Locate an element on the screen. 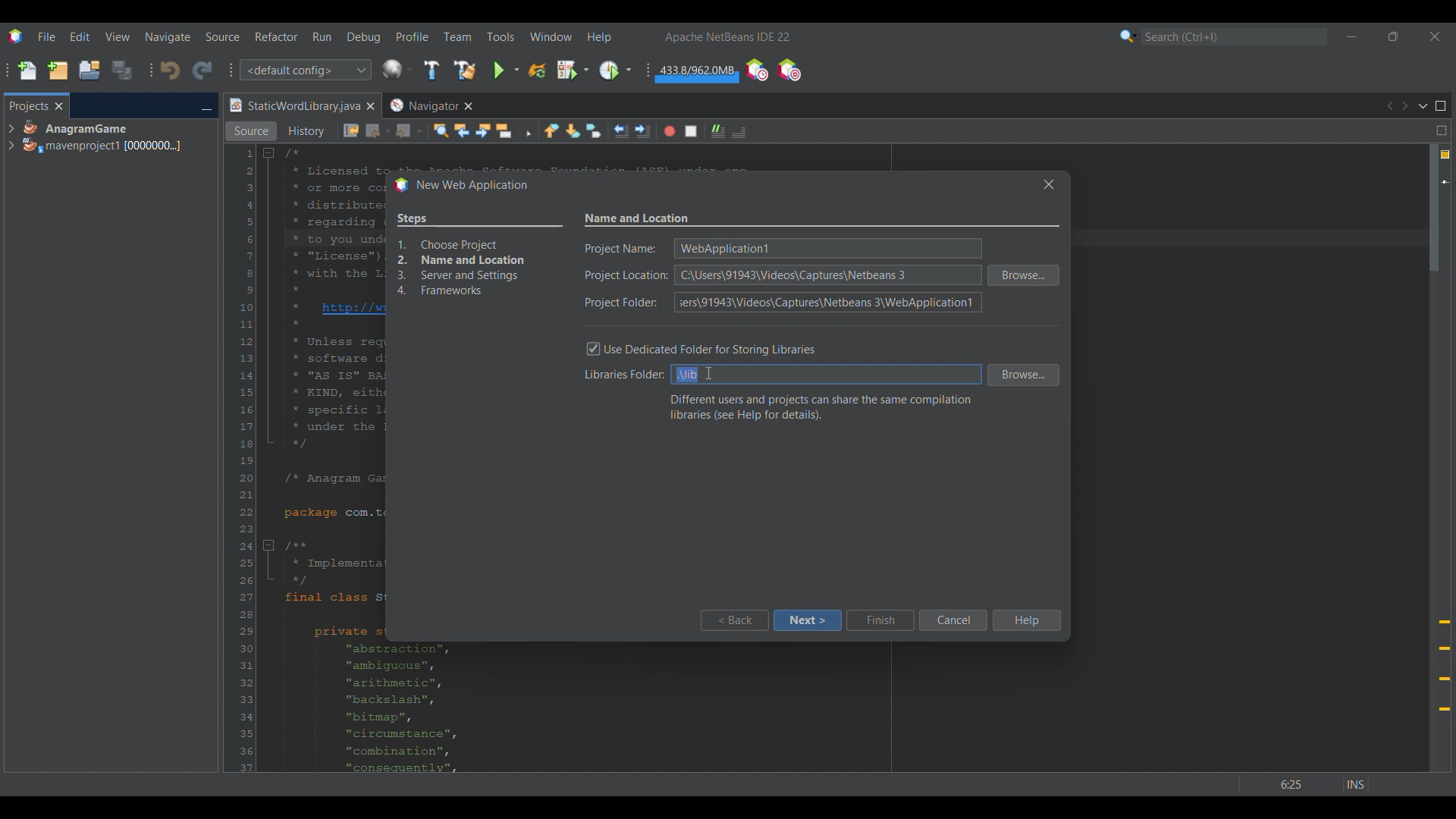 The width and height of the screenshot is (1456, 819). Indicates text box for each mentioned detail is located at coordinates (626, 276).